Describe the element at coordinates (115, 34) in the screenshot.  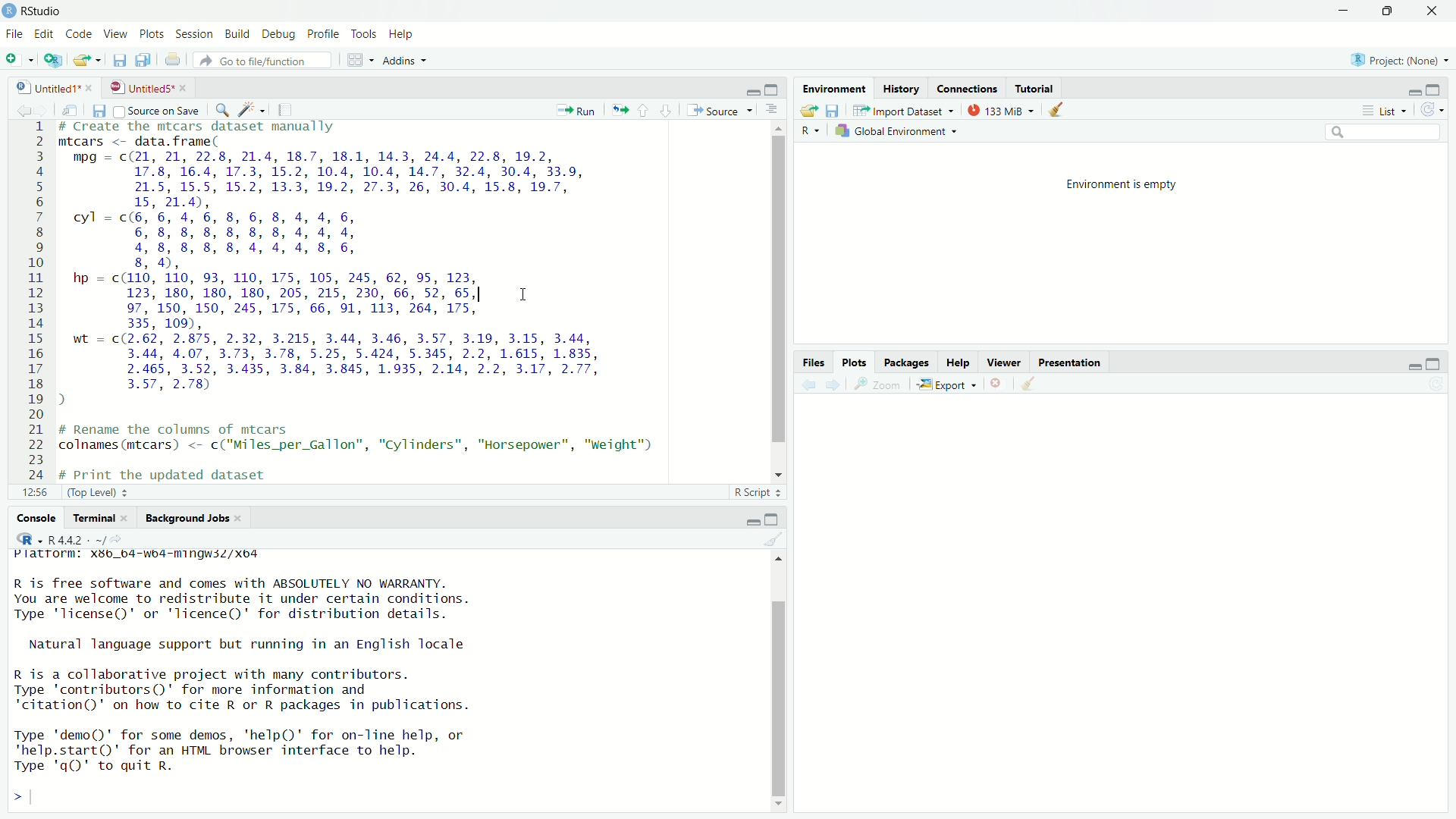
I see `View` at that location.